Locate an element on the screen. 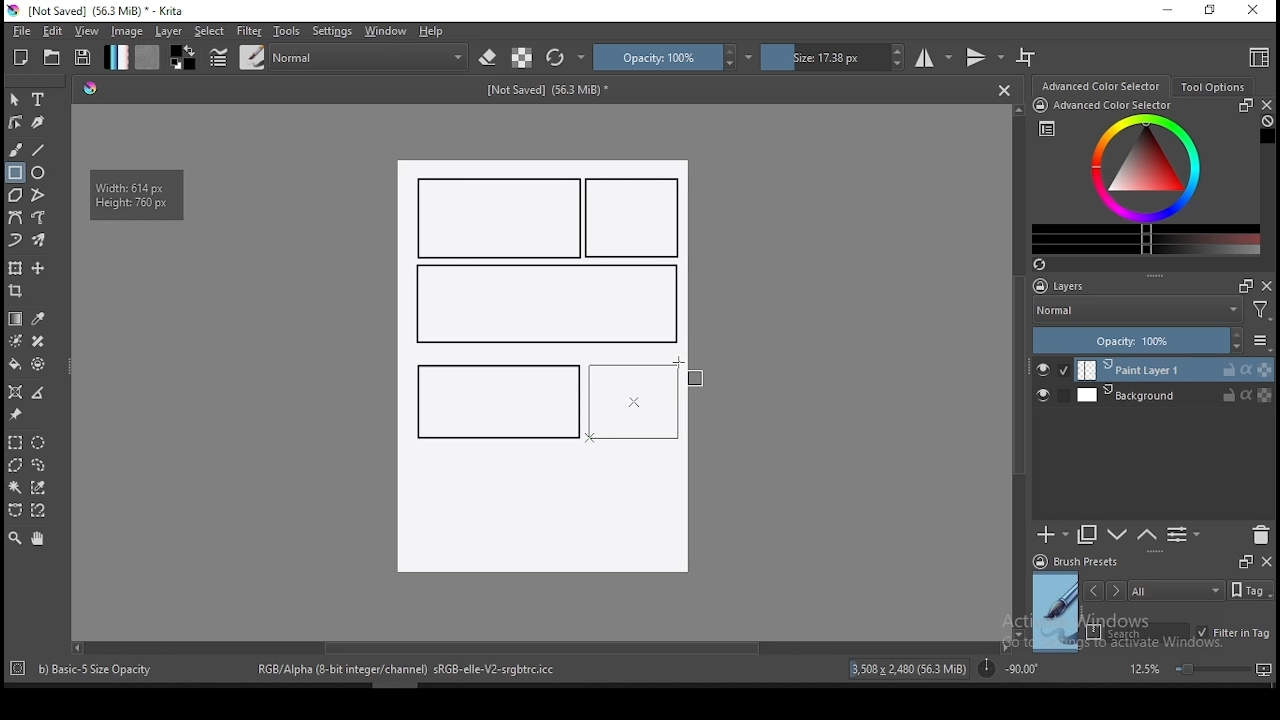 The image size is (1280, 720). multibrush tool is located at coordinates (40, 242).